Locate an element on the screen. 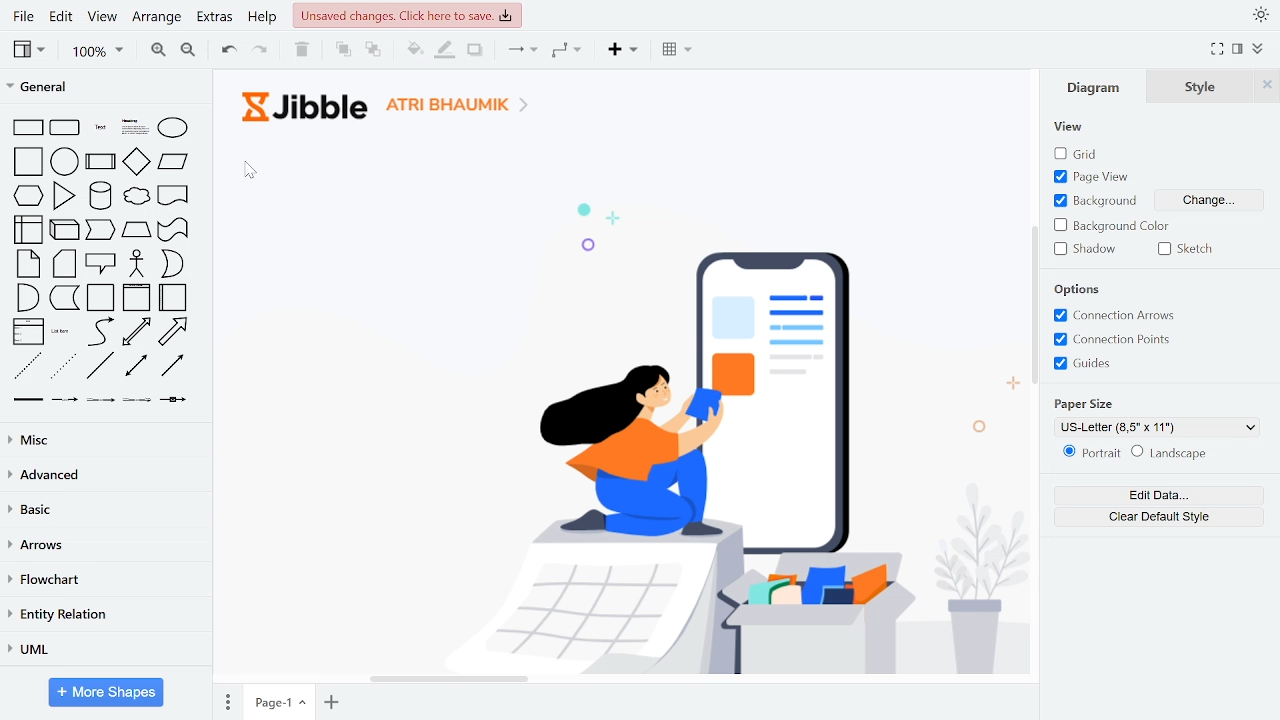 The image size is (1280, 720). general shapes is located at coordinates (99, 332).